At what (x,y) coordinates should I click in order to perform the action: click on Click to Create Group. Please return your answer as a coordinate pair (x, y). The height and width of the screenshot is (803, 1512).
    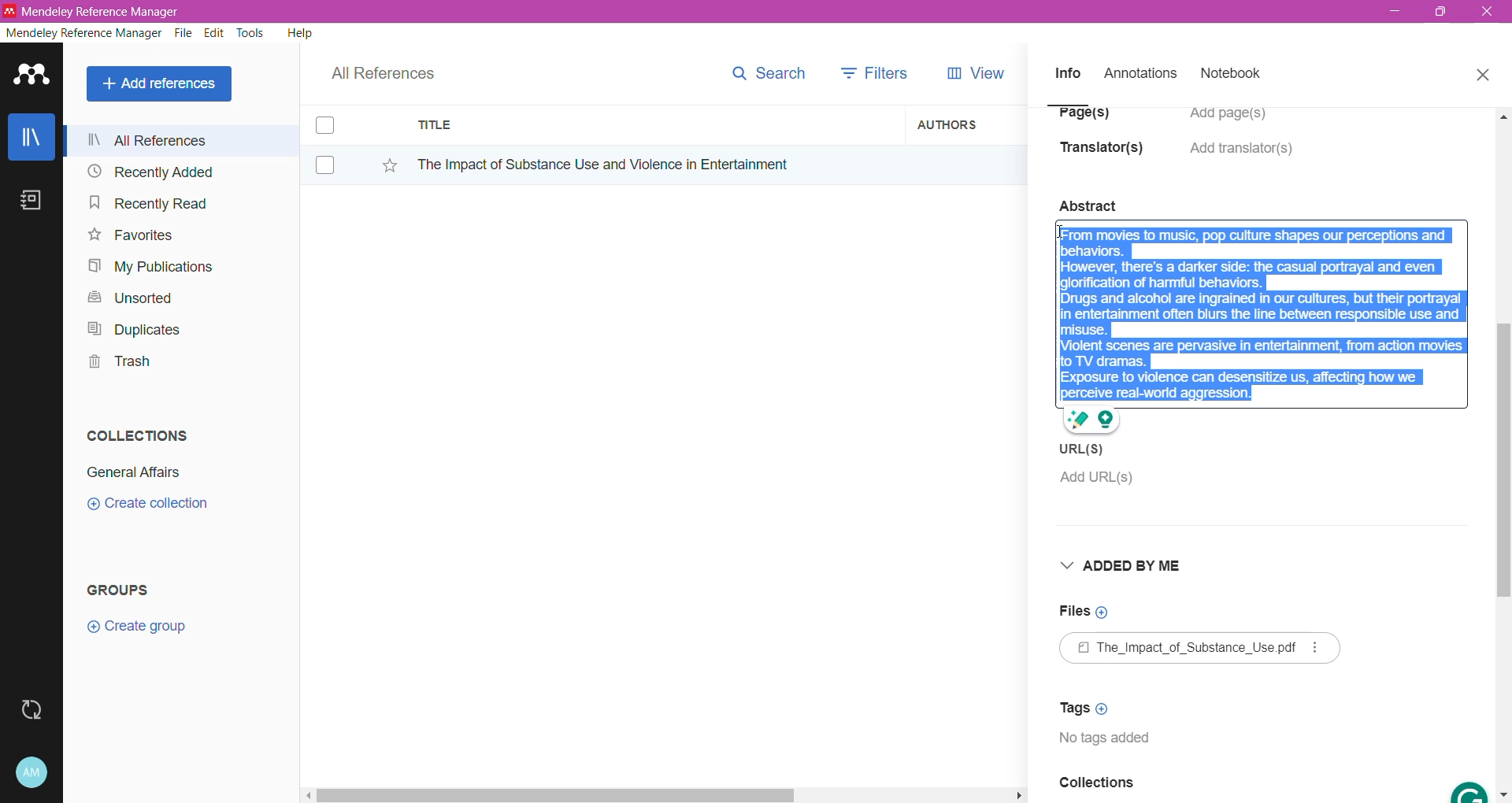
    Looking at the image, I should click on (140, 632).